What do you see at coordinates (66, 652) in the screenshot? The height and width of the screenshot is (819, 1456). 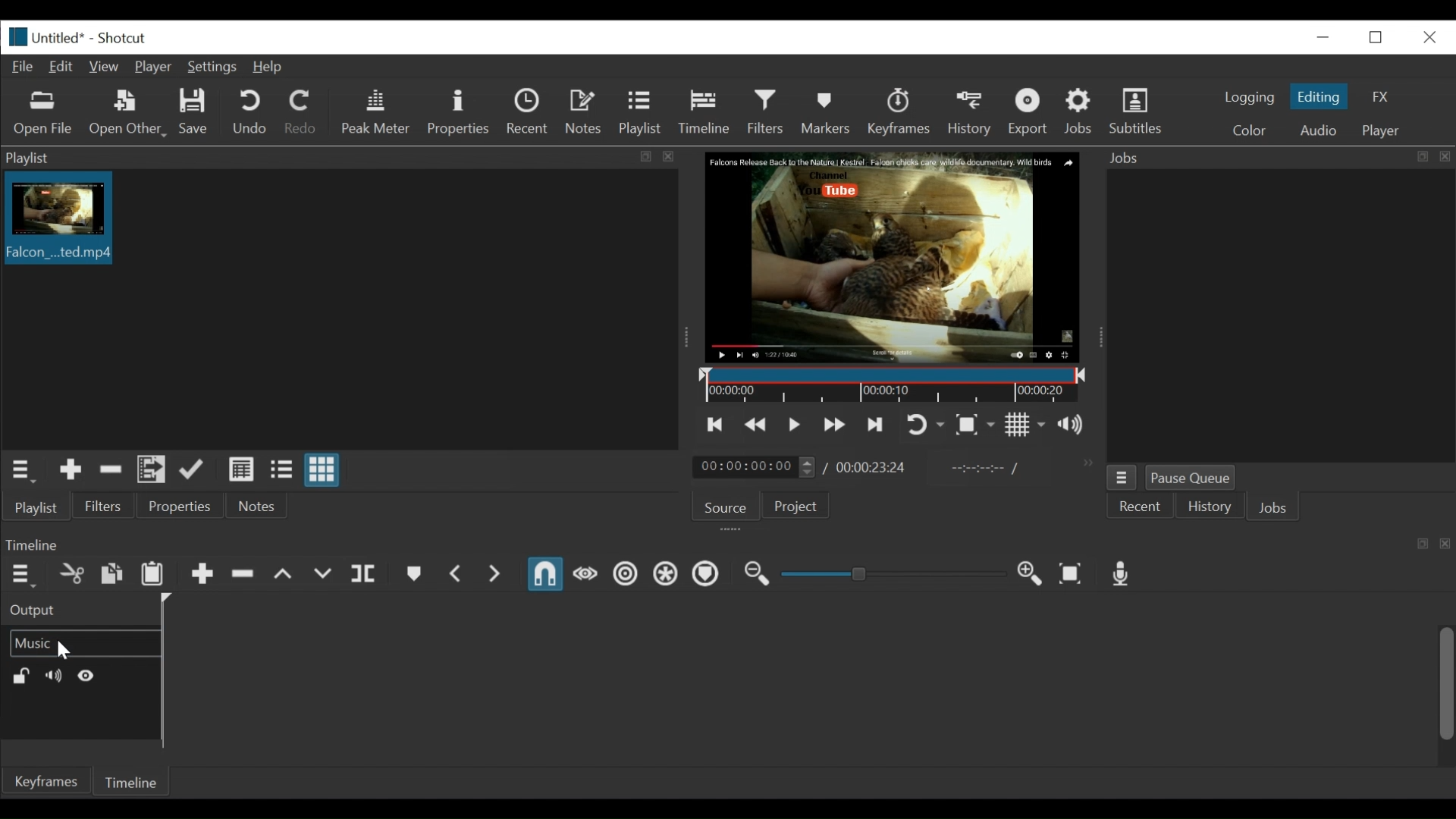 I see `Cursor` at bounding box center [66, 652].